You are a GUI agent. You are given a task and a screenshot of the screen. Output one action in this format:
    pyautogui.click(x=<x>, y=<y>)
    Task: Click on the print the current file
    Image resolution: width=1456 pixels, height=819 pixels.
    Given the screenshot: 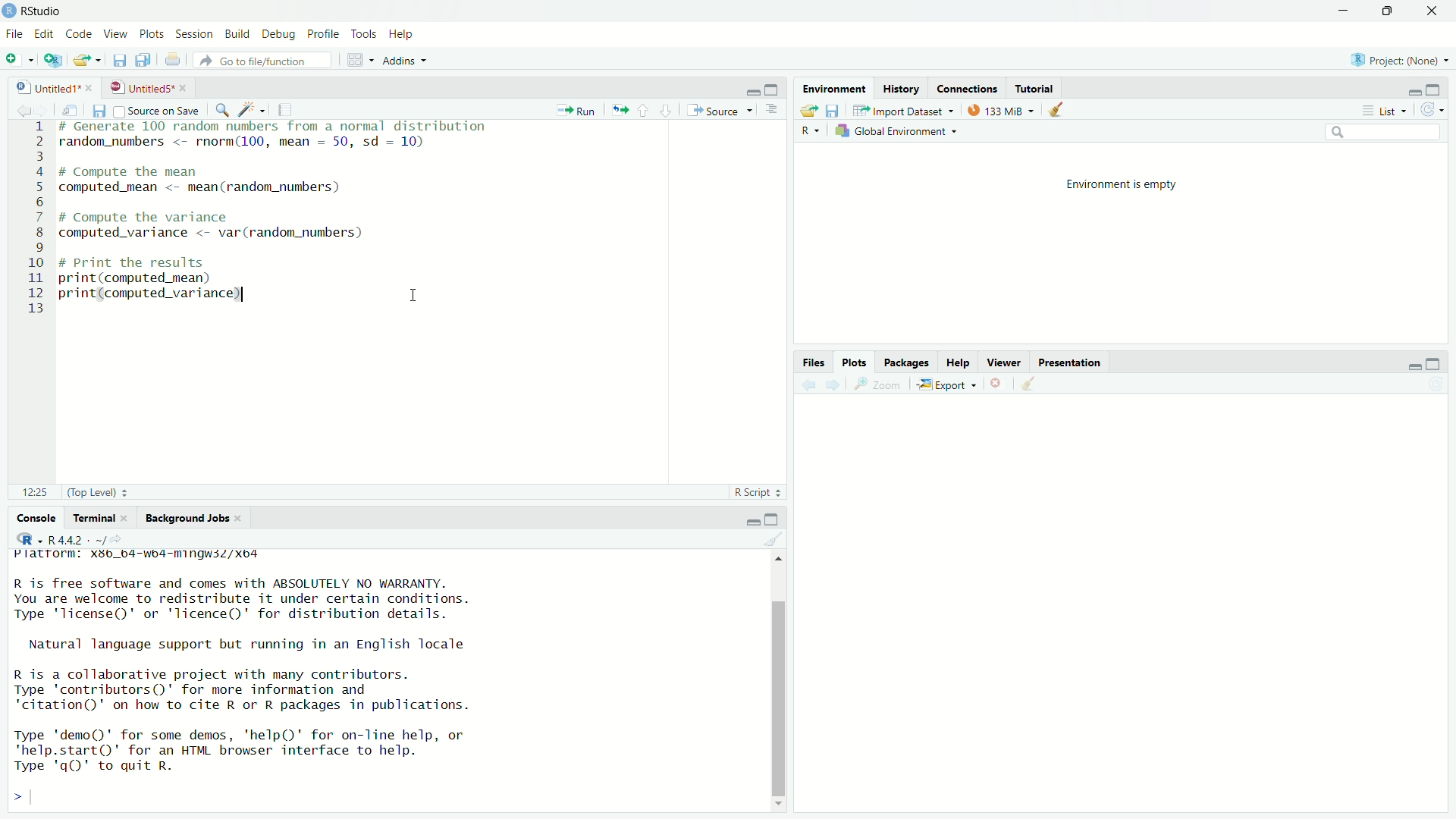 What is the action you would take?
    pyautogui.click(x=174, y=61)
    